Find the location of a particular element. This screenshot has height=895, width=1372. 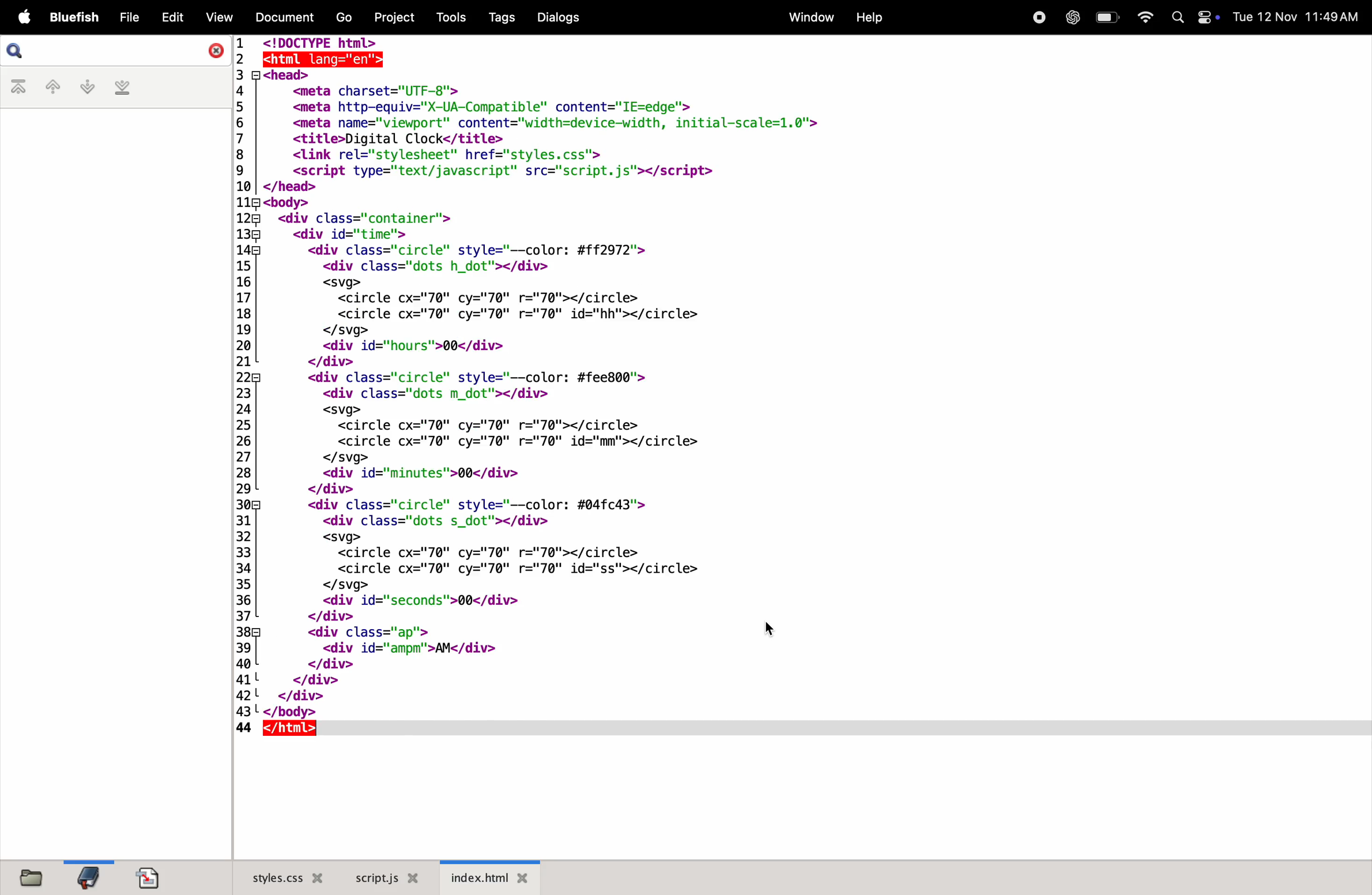

close is located at coordinates (214, 51).